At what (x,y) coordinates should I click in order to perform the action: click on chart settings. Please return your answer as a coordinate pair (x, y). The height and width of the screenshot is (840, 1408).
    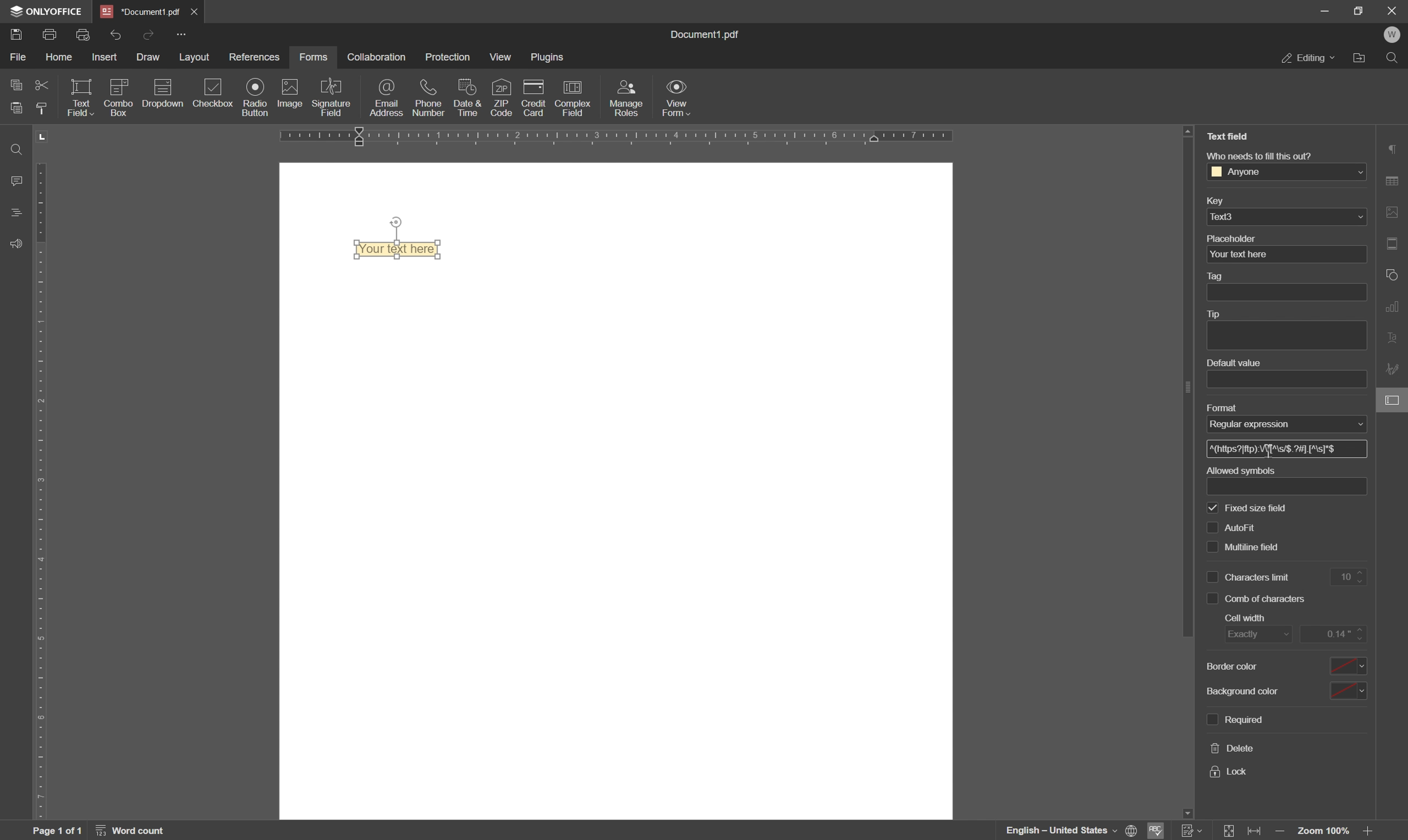
    Looking at the image, I should click on (1395, 308).